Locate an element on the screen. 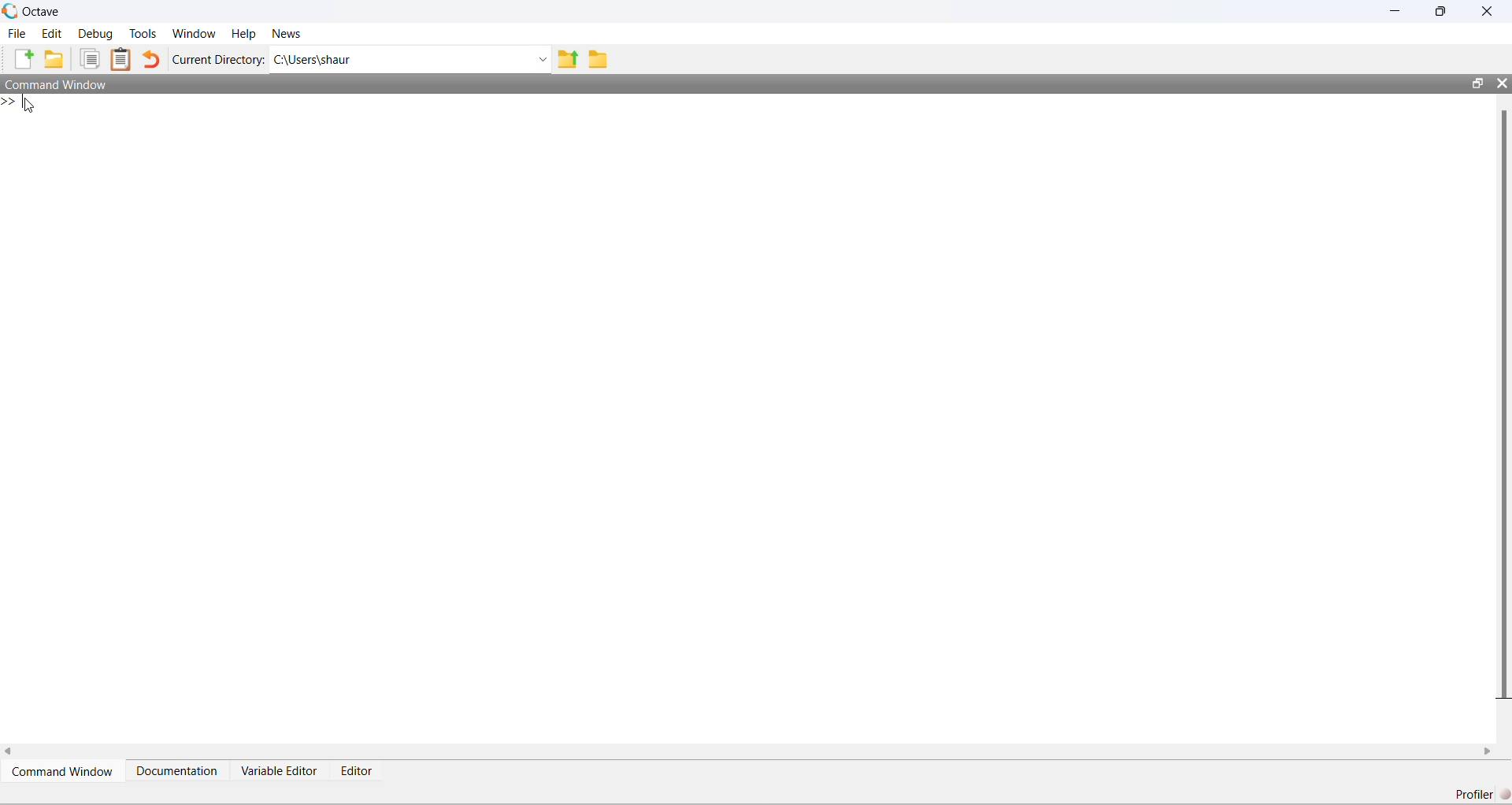 This screenshot has width=1512, height=805. close is located at coordinates (1488, 10).